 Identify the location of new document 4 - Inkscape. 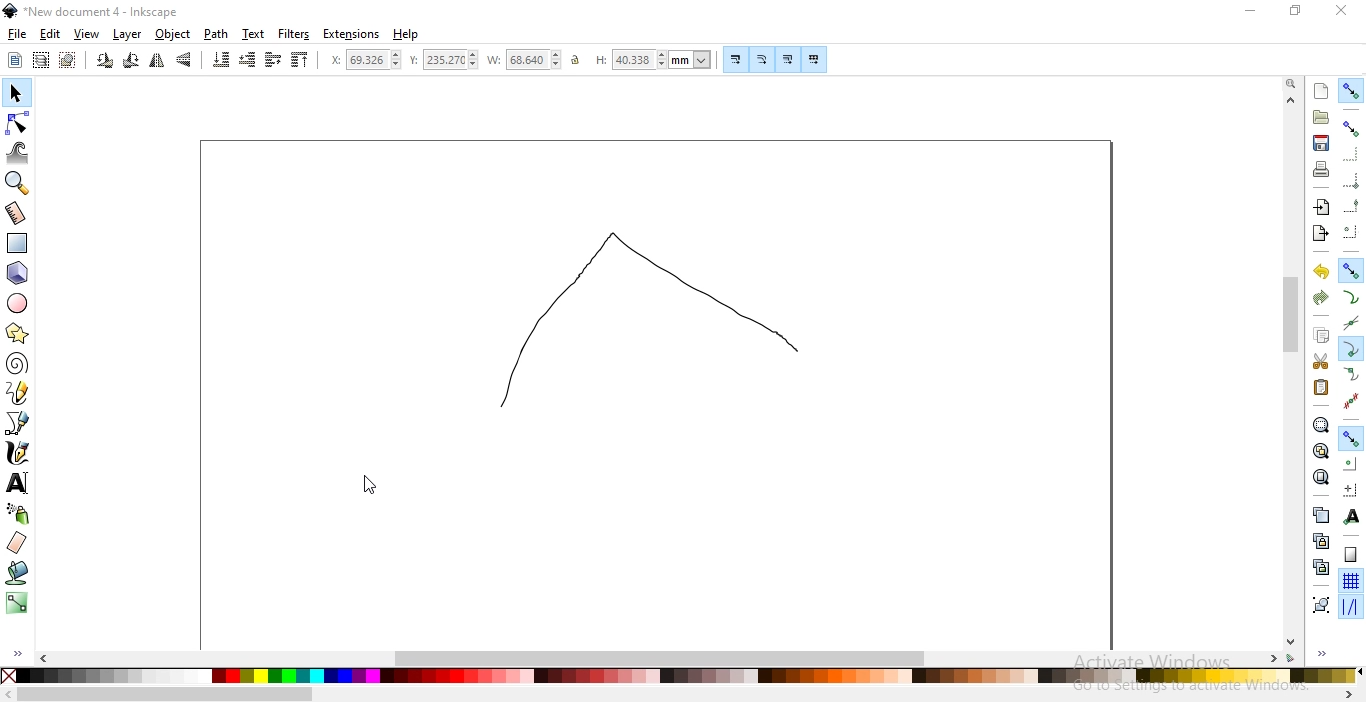
(102, 12).